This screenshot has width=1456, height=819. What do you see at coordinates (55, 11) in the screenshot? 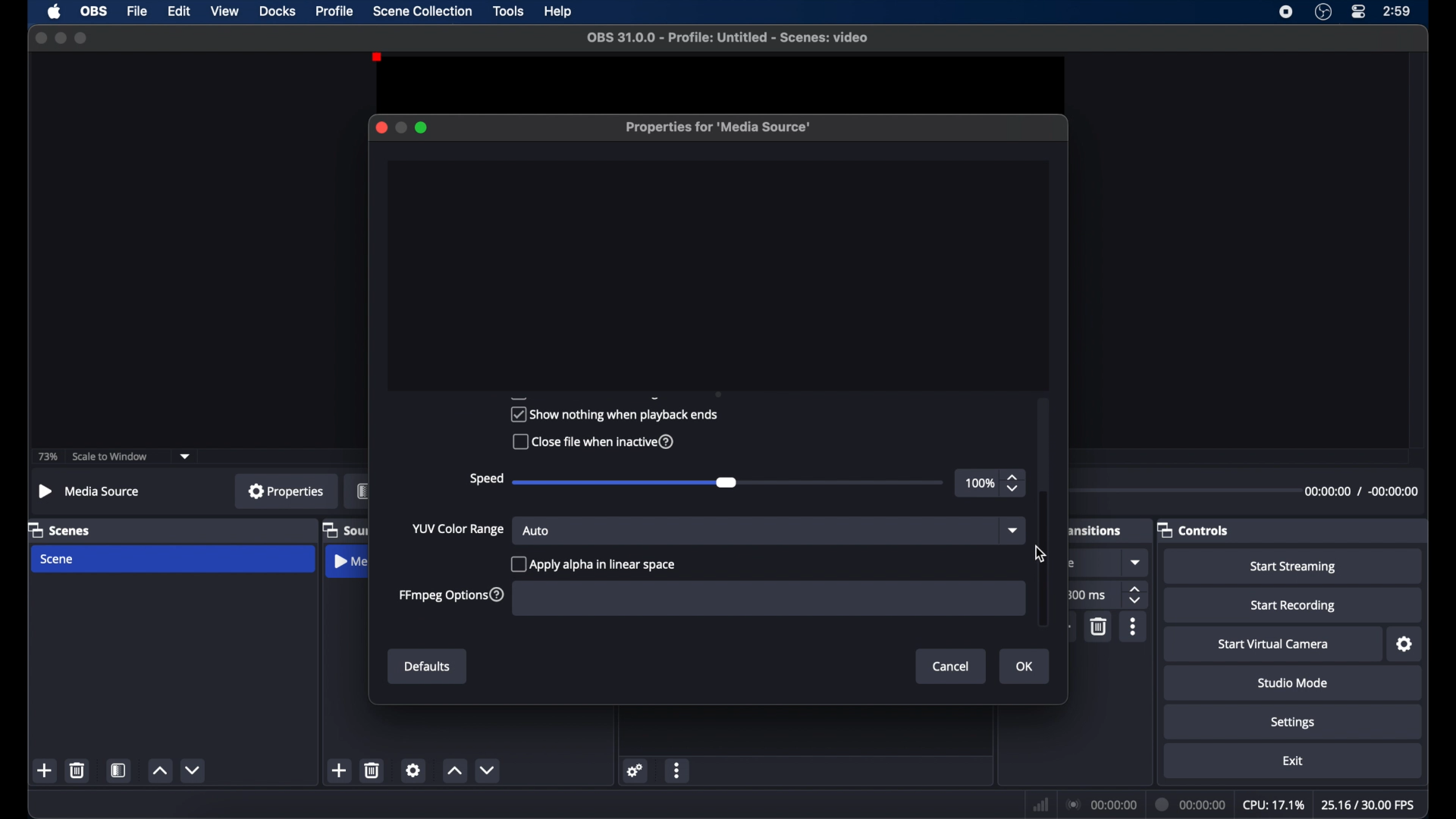
I see `apple icon` at bounding box center [55, 11].